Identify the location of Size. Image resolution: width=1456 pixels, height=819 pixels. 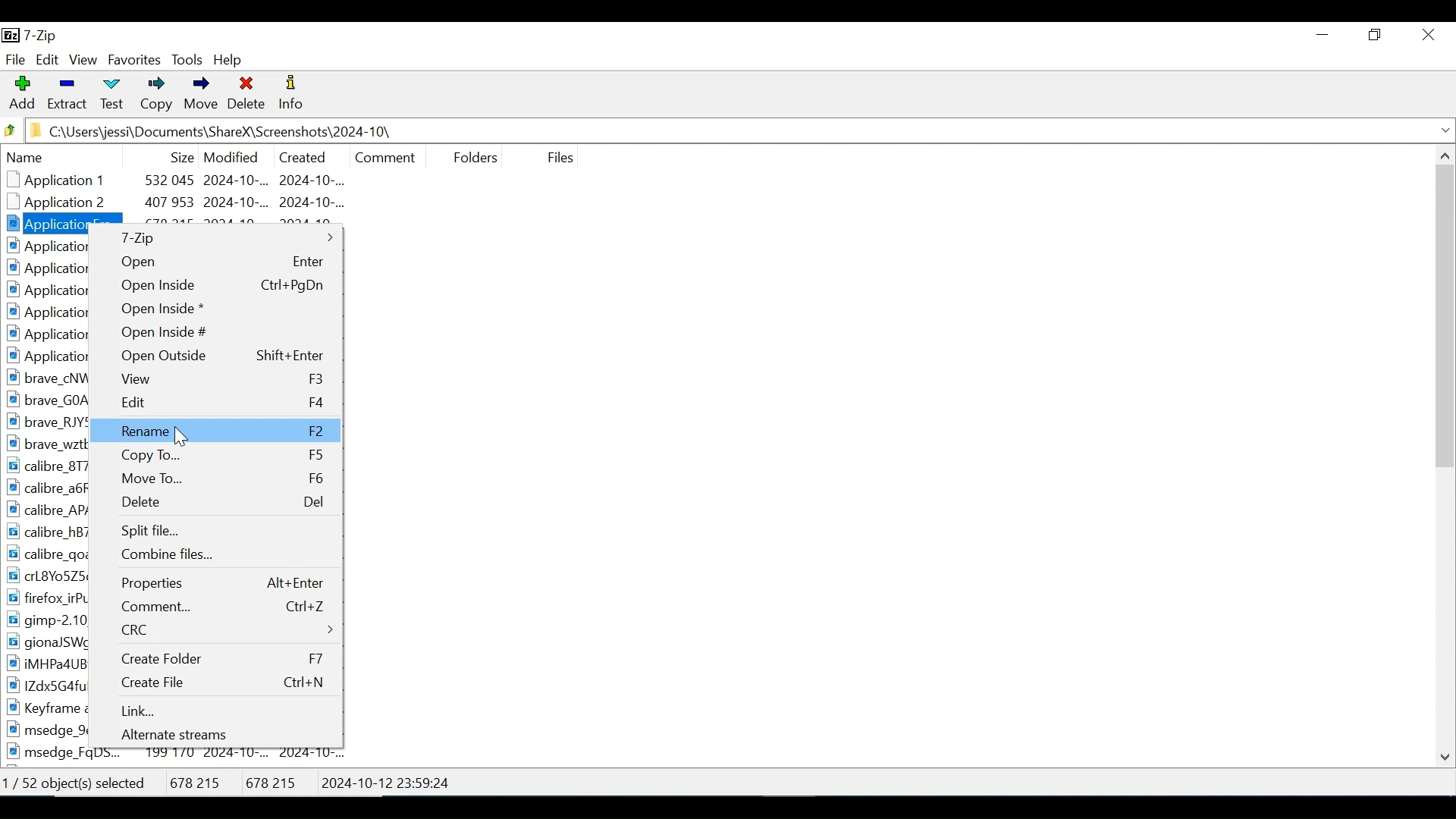
(178, 155).